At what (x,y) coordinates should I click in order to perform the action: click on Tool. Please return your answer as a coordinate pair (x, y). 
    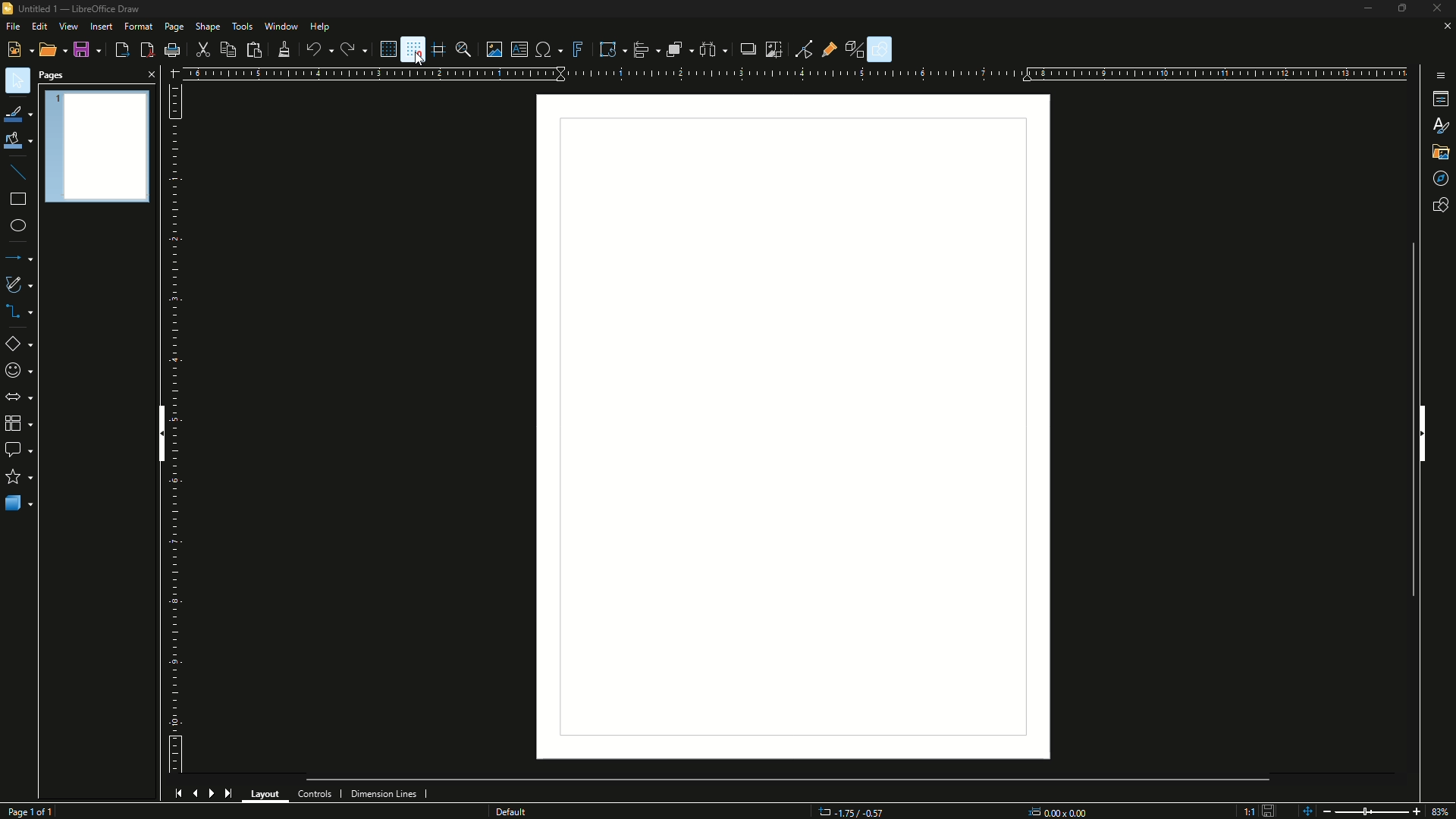
    Looking at the image, I should click on (854, 49).